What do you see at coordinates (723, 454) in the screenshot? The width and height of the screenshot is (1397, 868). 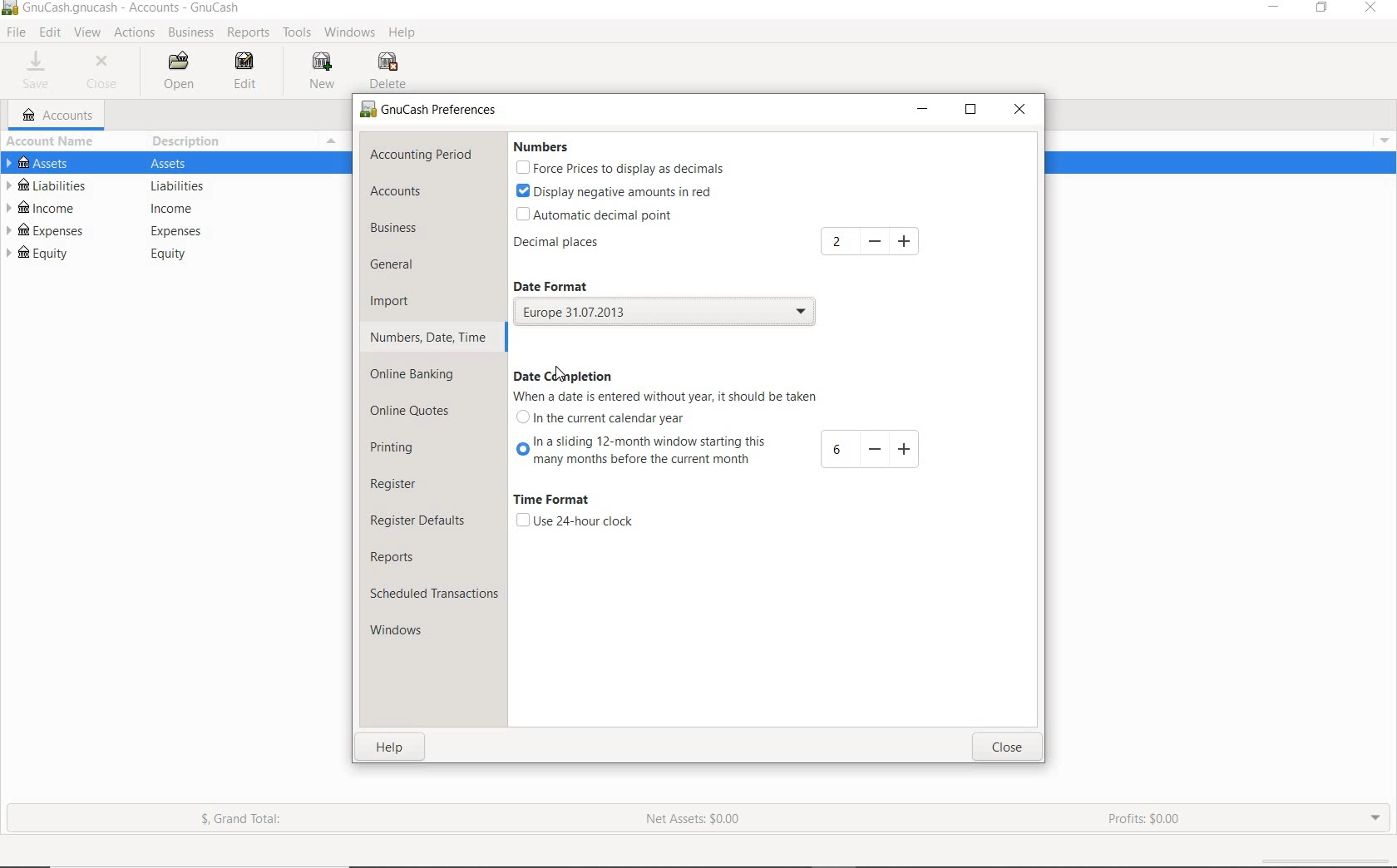 I see `in a sliding 12-month window starting this many months before the current month` at bounding box center [723, 454].